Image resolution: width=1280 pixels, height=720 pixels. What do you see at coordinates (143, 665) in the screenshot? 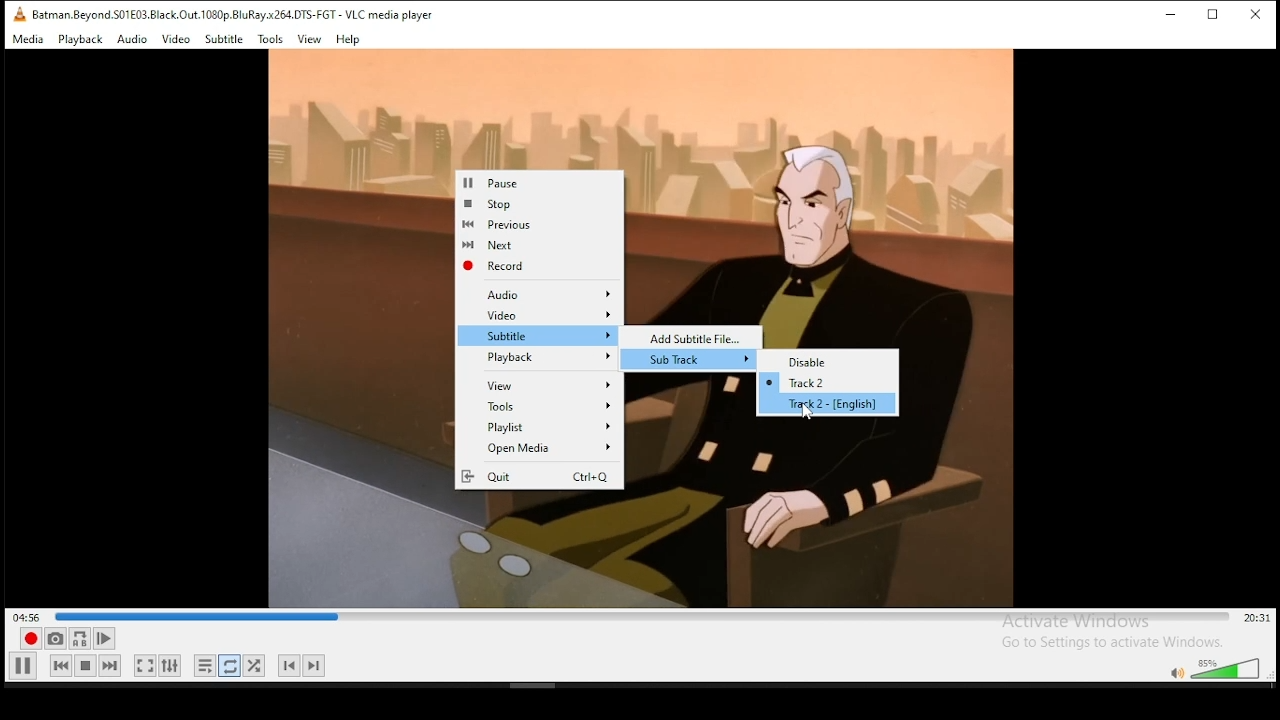
I see `full screen` at bounding box center [143, 665].